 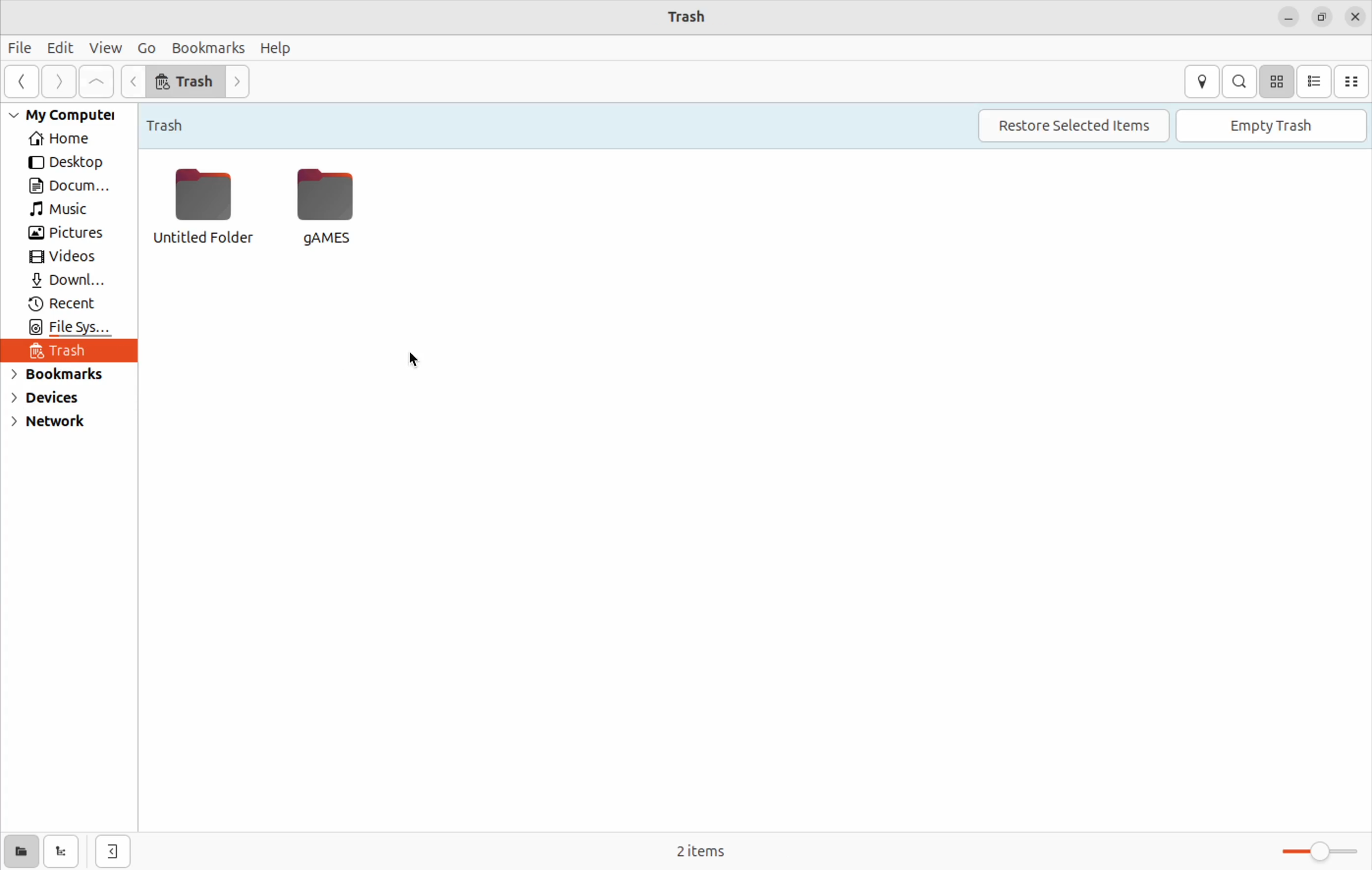 I want to click on Empty trash, so click(x=1275, y=125).